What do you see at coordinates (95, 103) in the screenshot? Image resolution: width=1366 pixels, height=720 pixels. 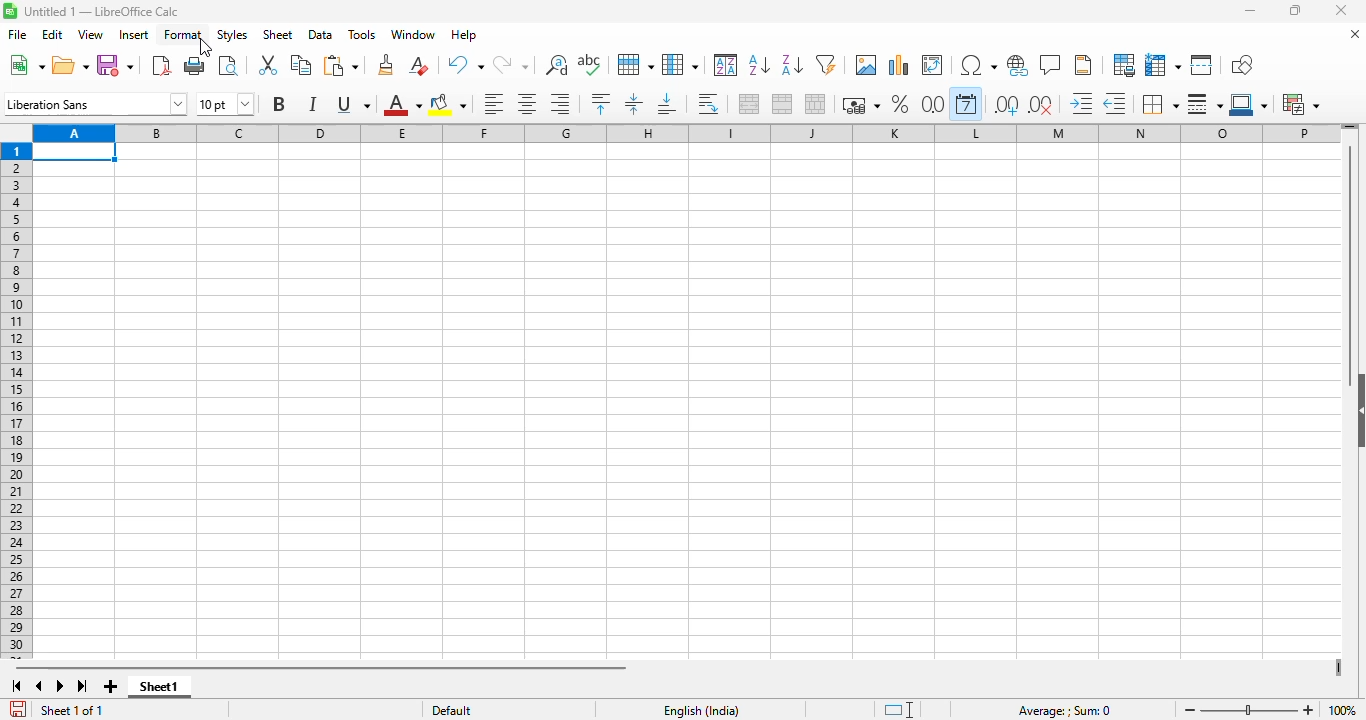 I see `font name` at bounding box center [95, 103].